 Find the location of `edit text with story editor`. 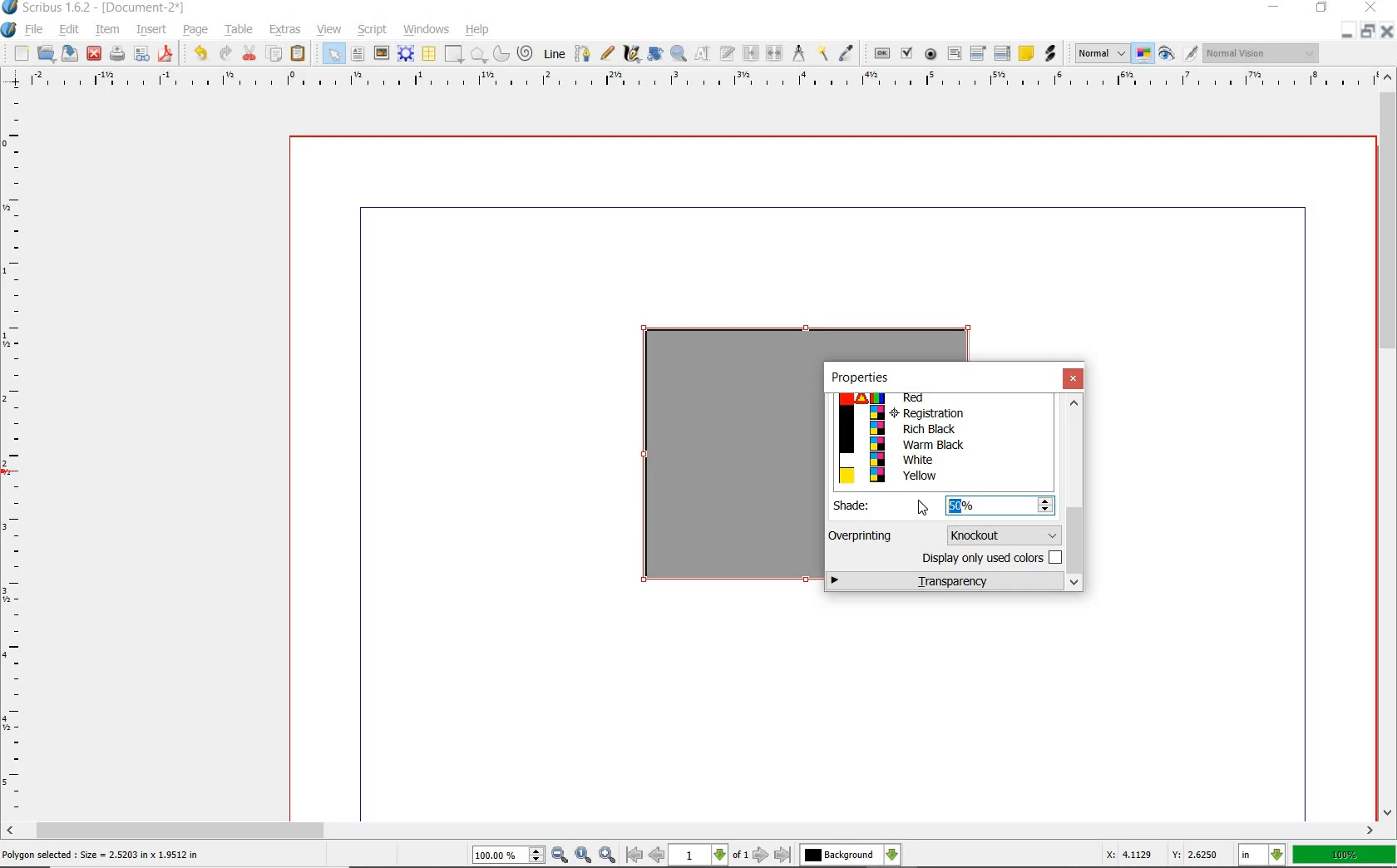

edit text with story editor is located at coordinates (727, 55).